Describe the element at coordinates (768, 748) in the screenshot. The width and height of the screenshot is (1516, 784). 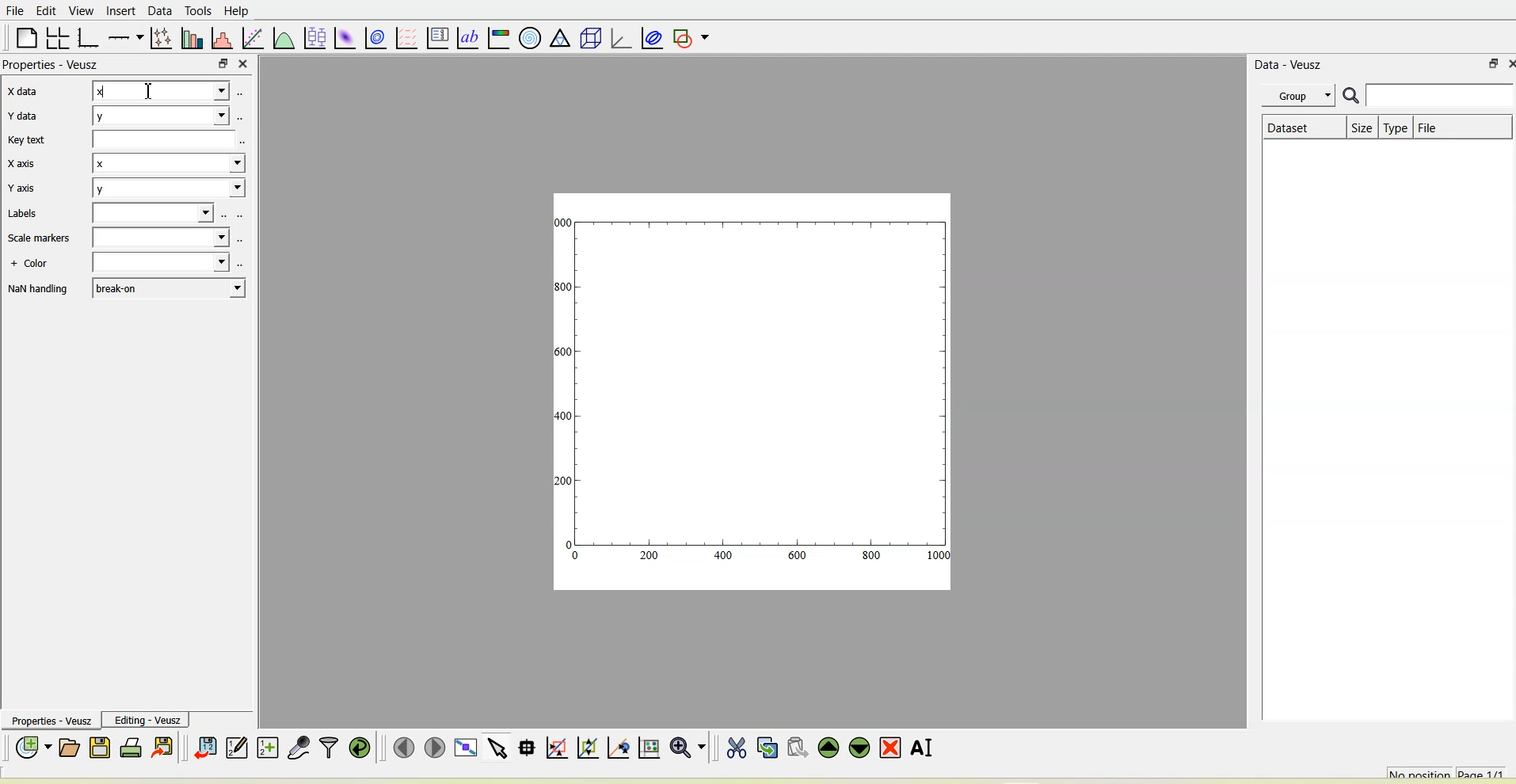
I see `Copy the selected widget` at that location.